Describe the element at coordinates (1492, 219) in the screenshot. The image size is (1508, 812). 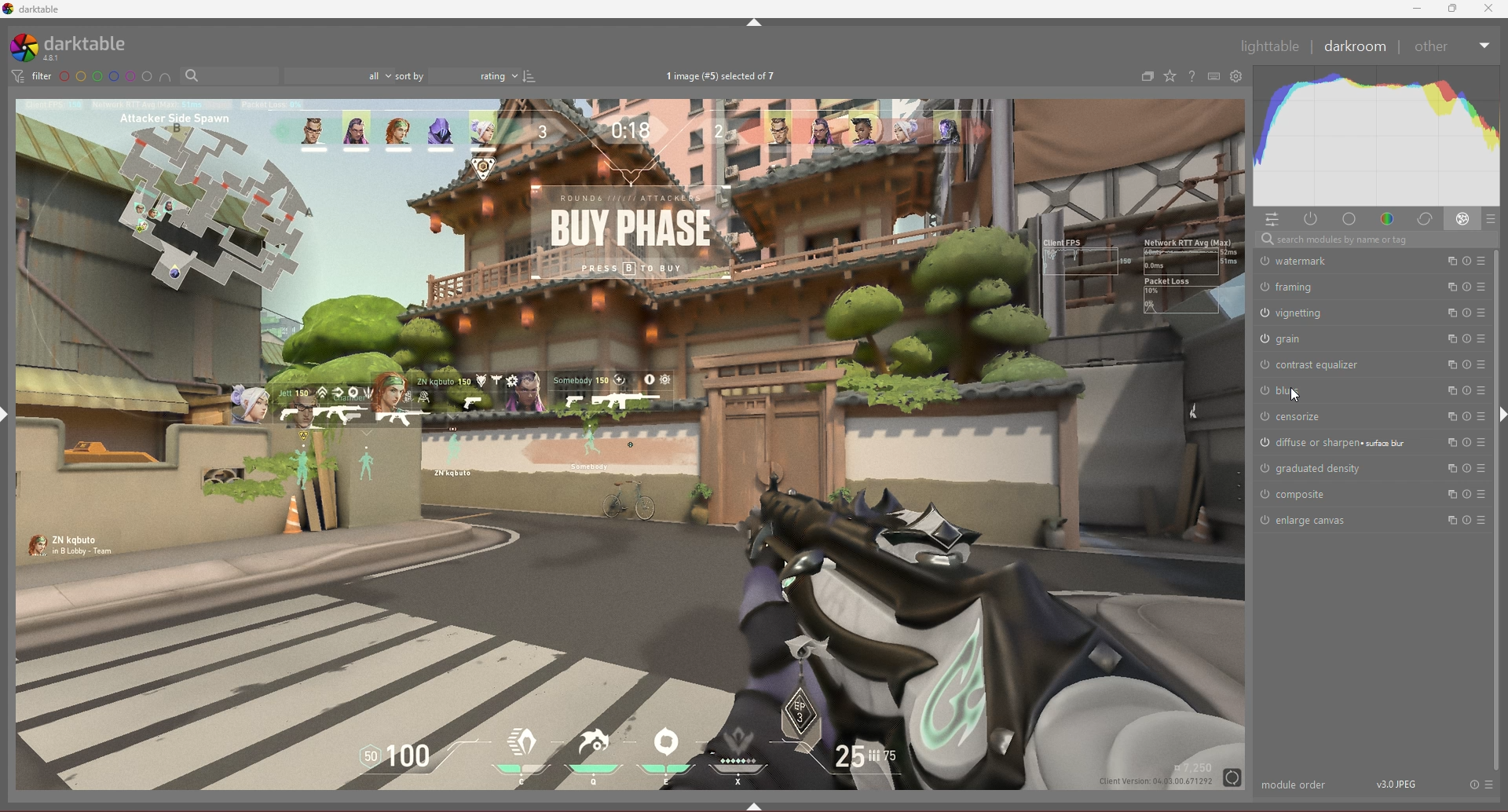
I see `presets` at that location.